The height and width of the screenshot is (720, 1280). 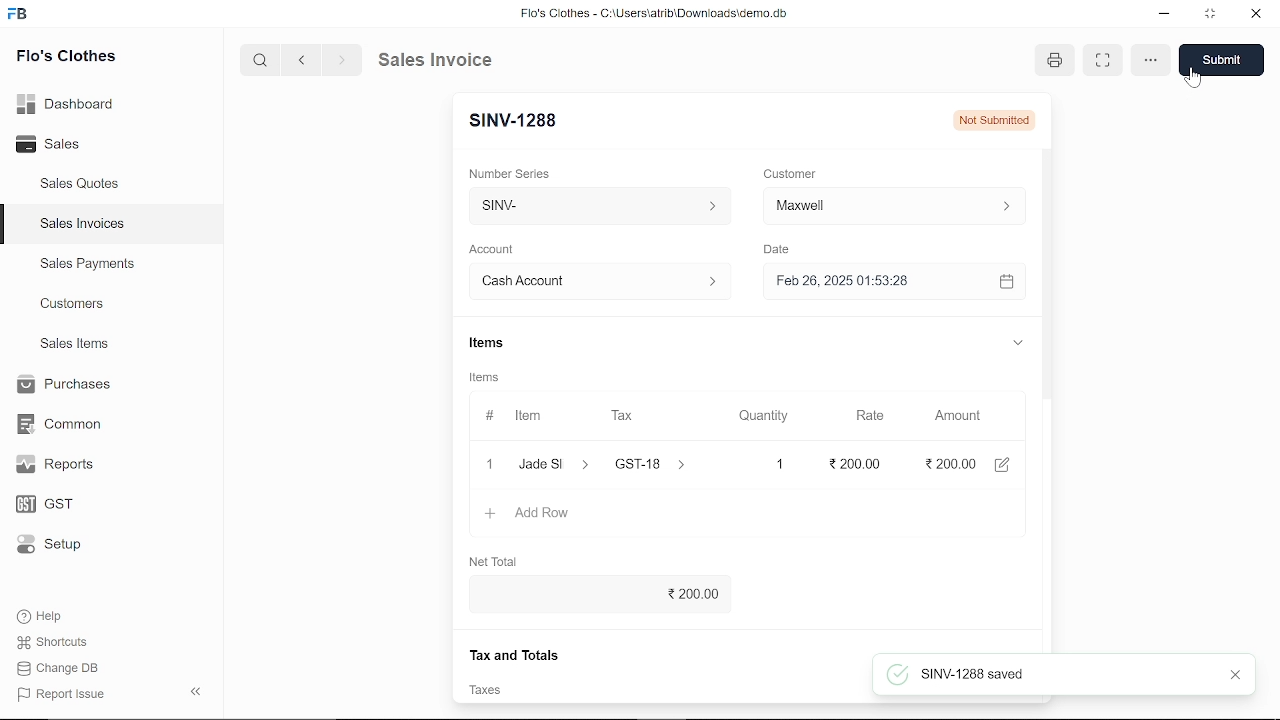 I want to click on SINV- , so click(x=595, y=206).